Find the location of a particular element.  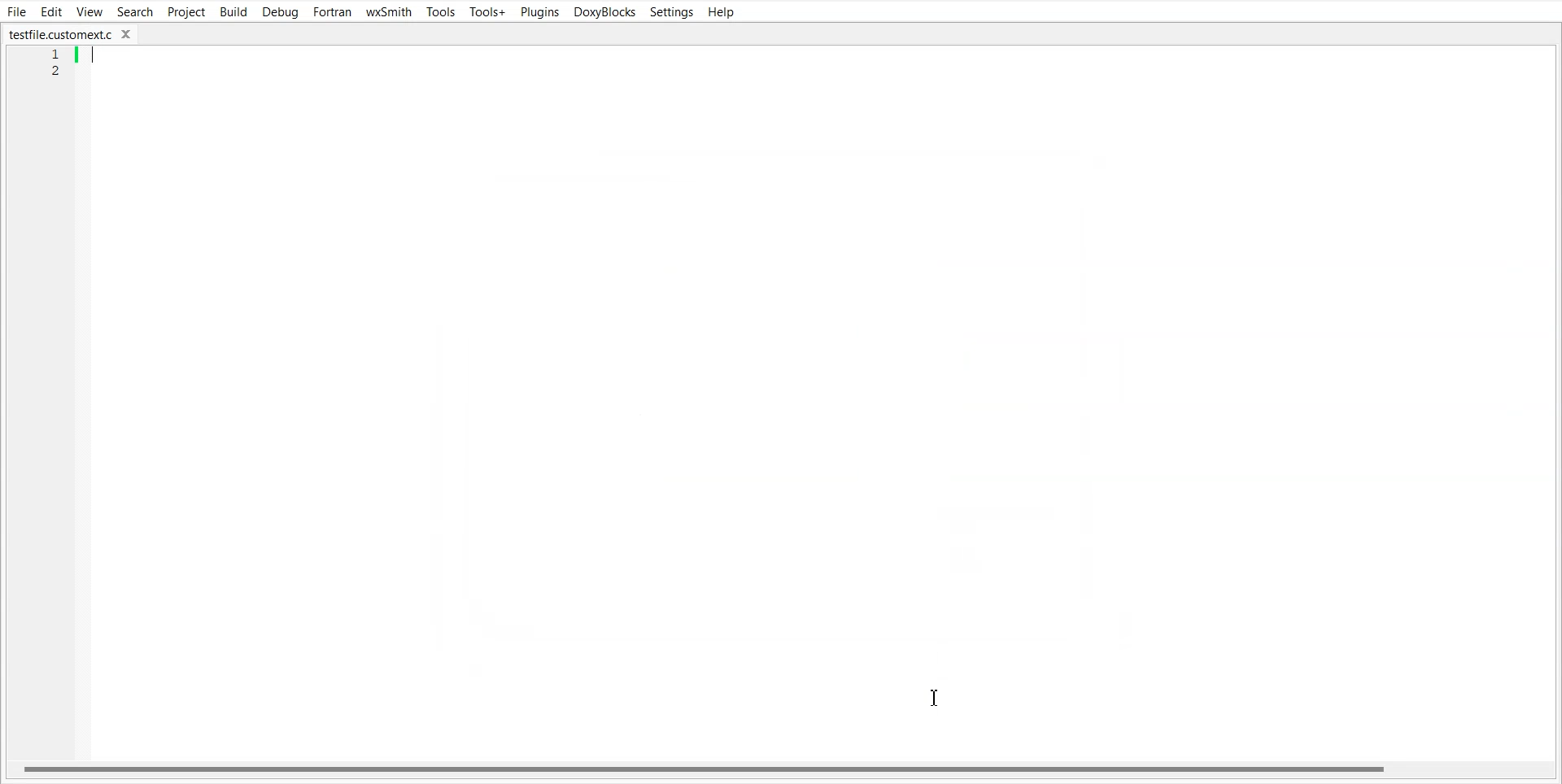

Debug is located at coordinates (281, 11).